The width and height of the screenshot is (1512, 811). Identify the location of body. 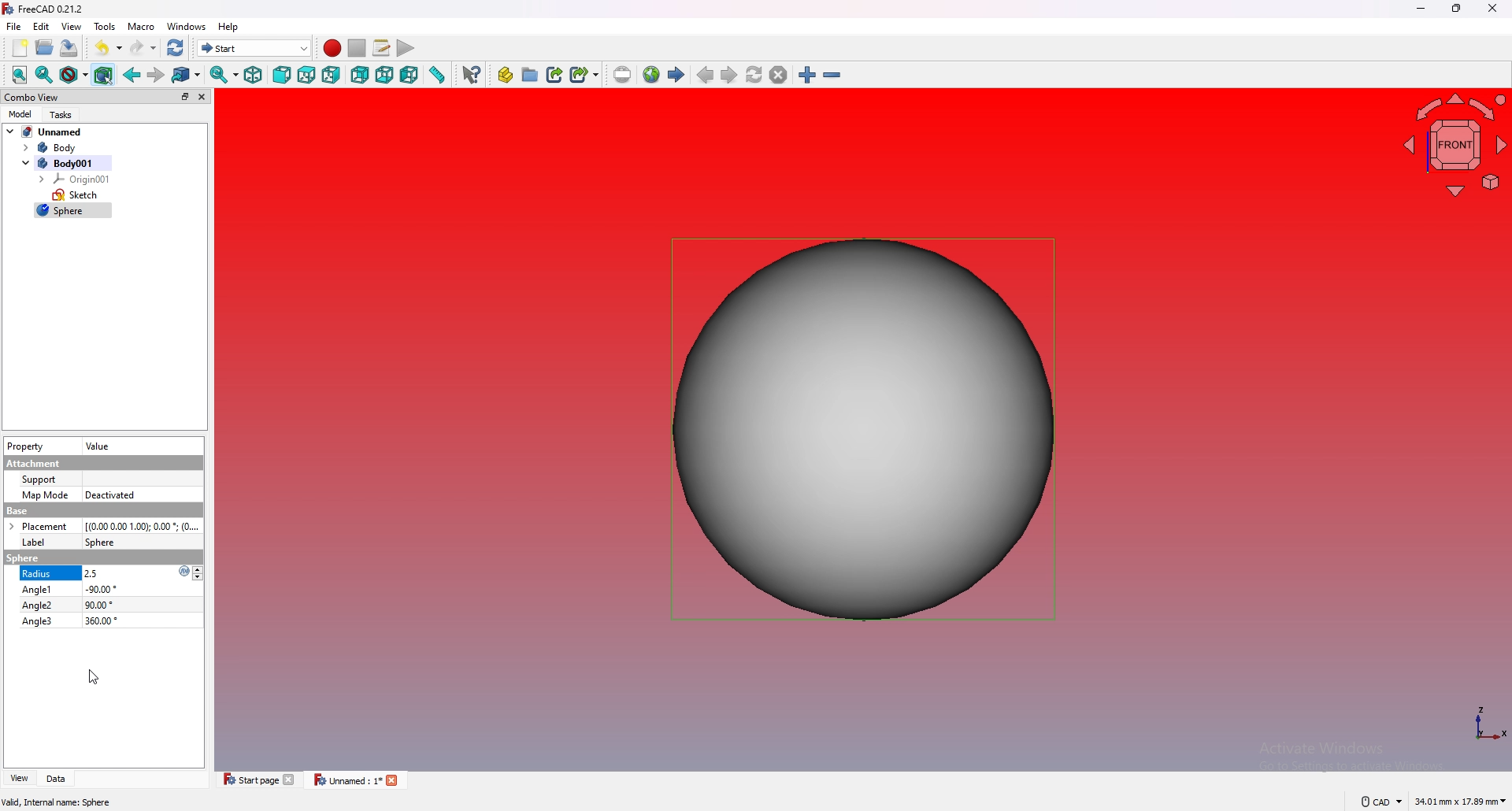
(61, 148).